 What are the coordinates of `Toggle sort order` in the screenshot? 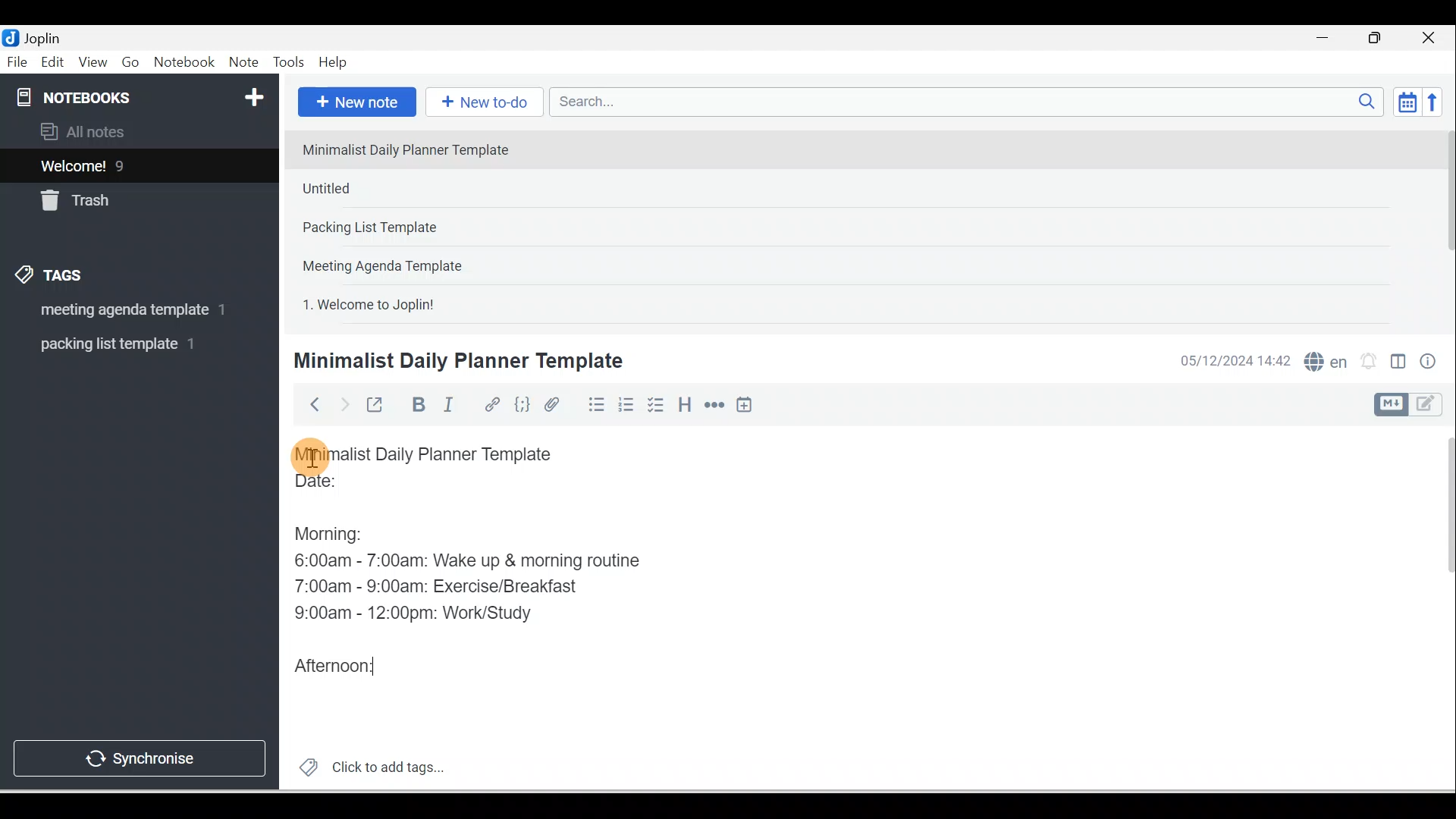 It's located at (1407, 101).